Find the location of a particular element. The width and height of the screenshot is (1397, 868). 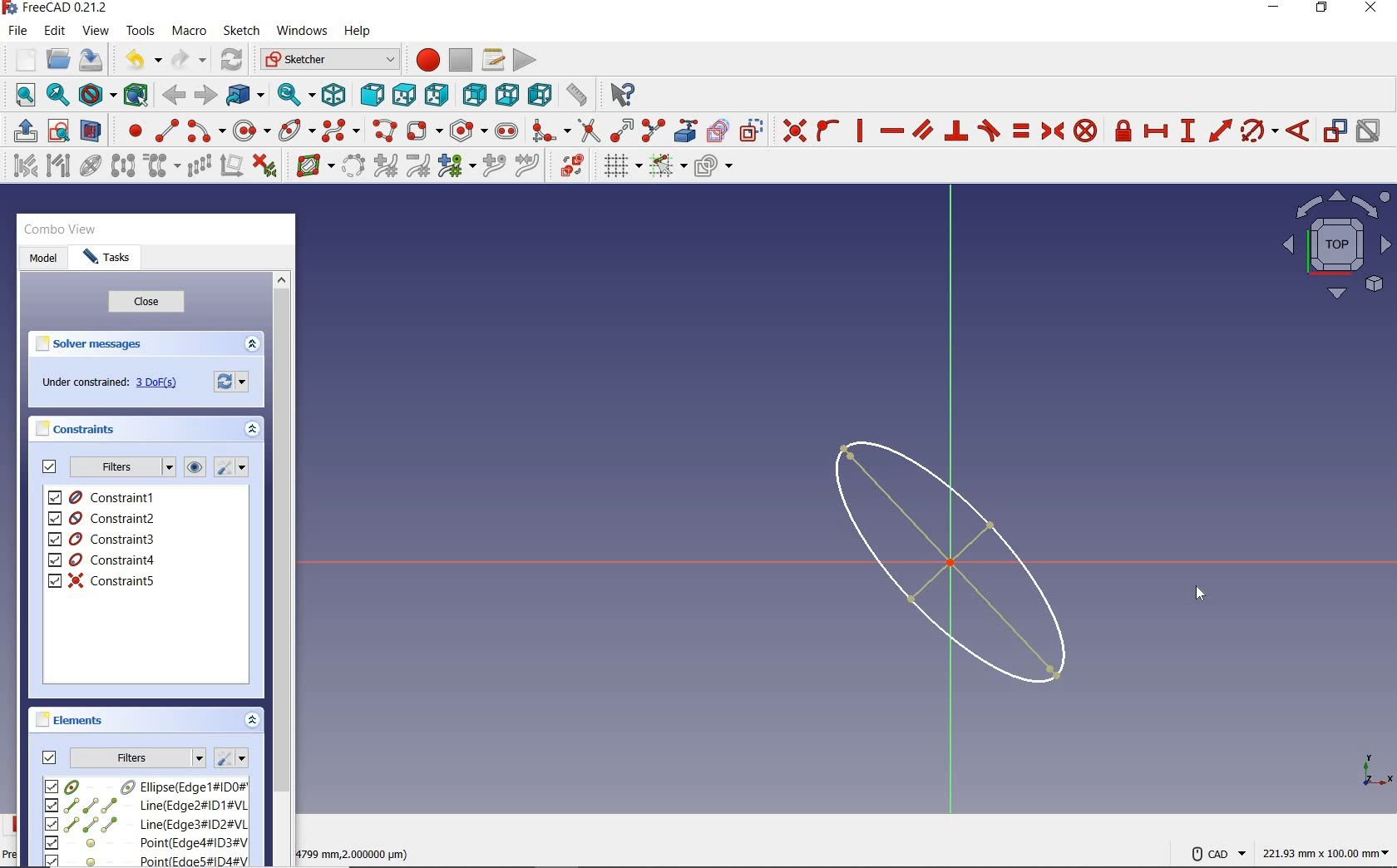

collapse is located at coordinates (253, 722).